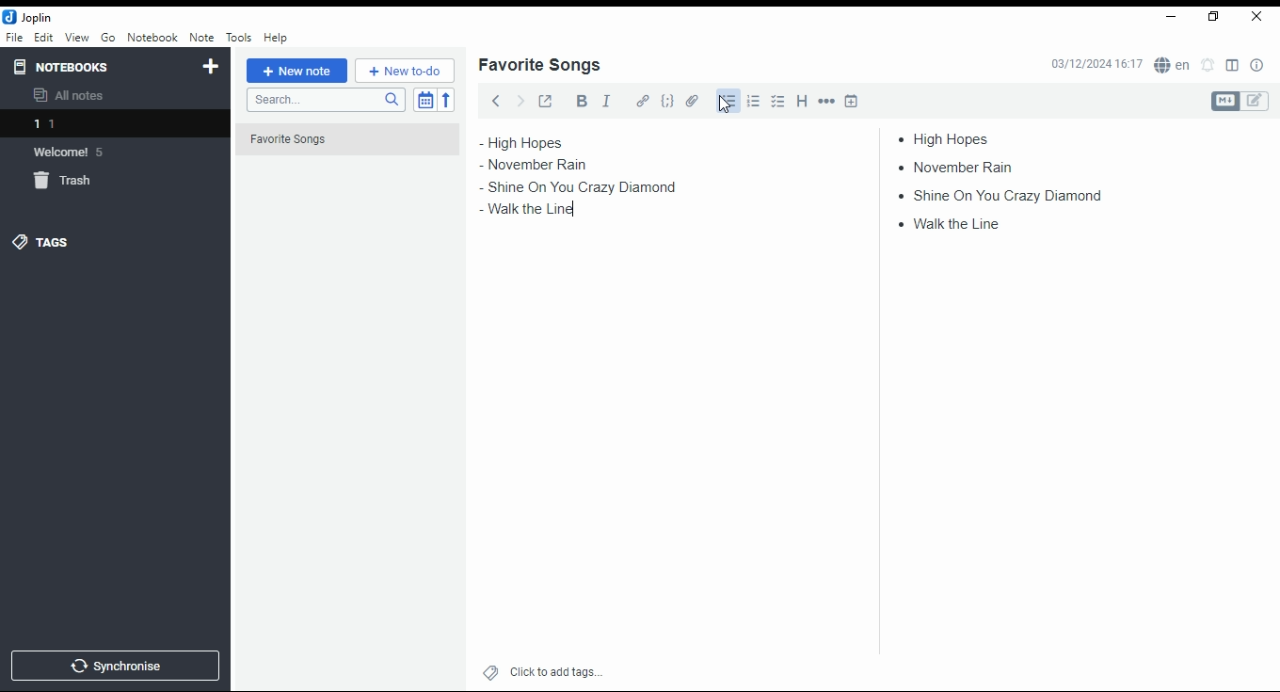 This screenshot has height=692, width=1280. I want to click on note, so click(201, 37).